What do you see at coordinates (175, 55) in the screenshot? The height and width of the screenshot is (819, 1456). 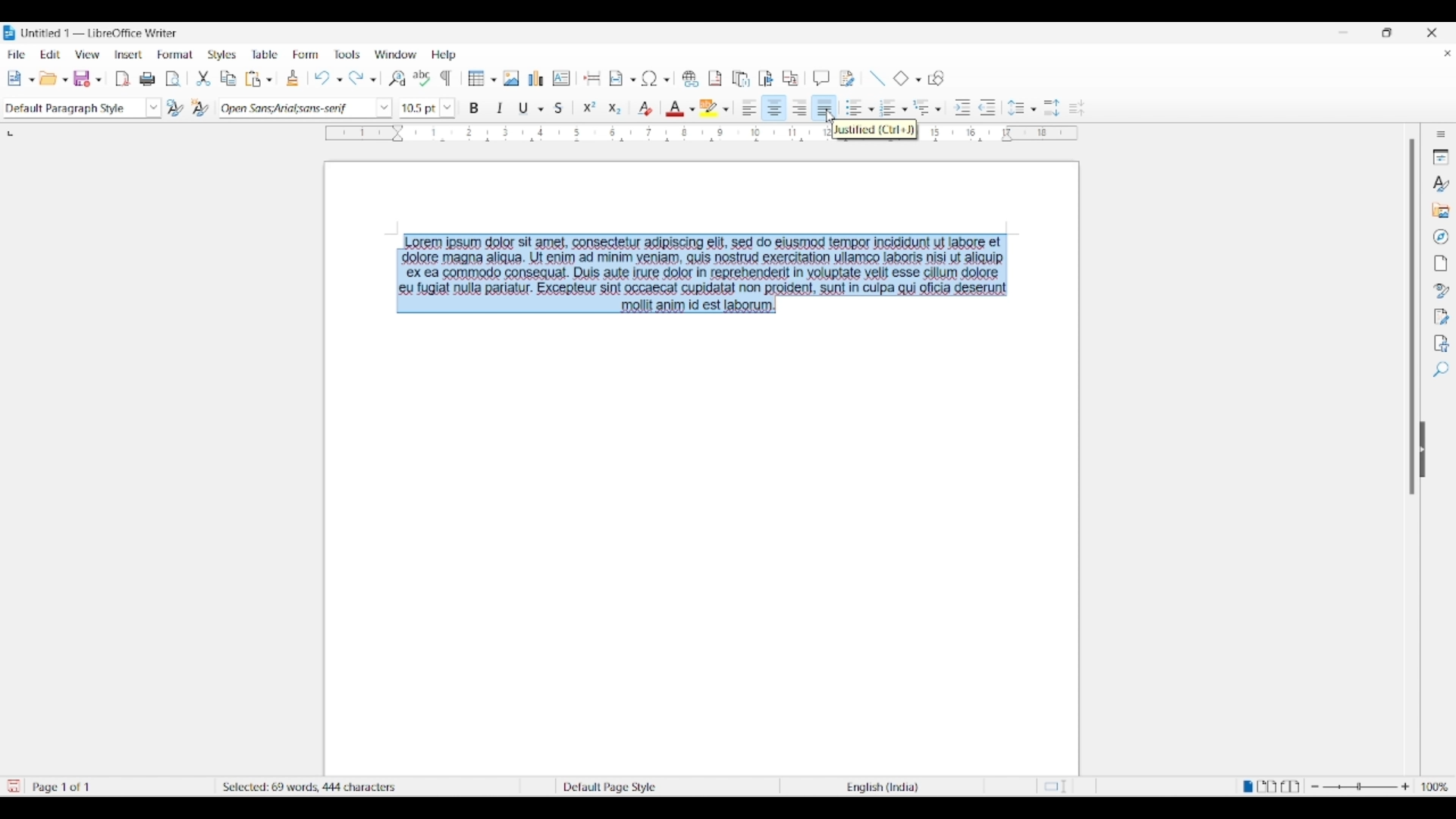 I see `Format` at bounding box center [175, 55].